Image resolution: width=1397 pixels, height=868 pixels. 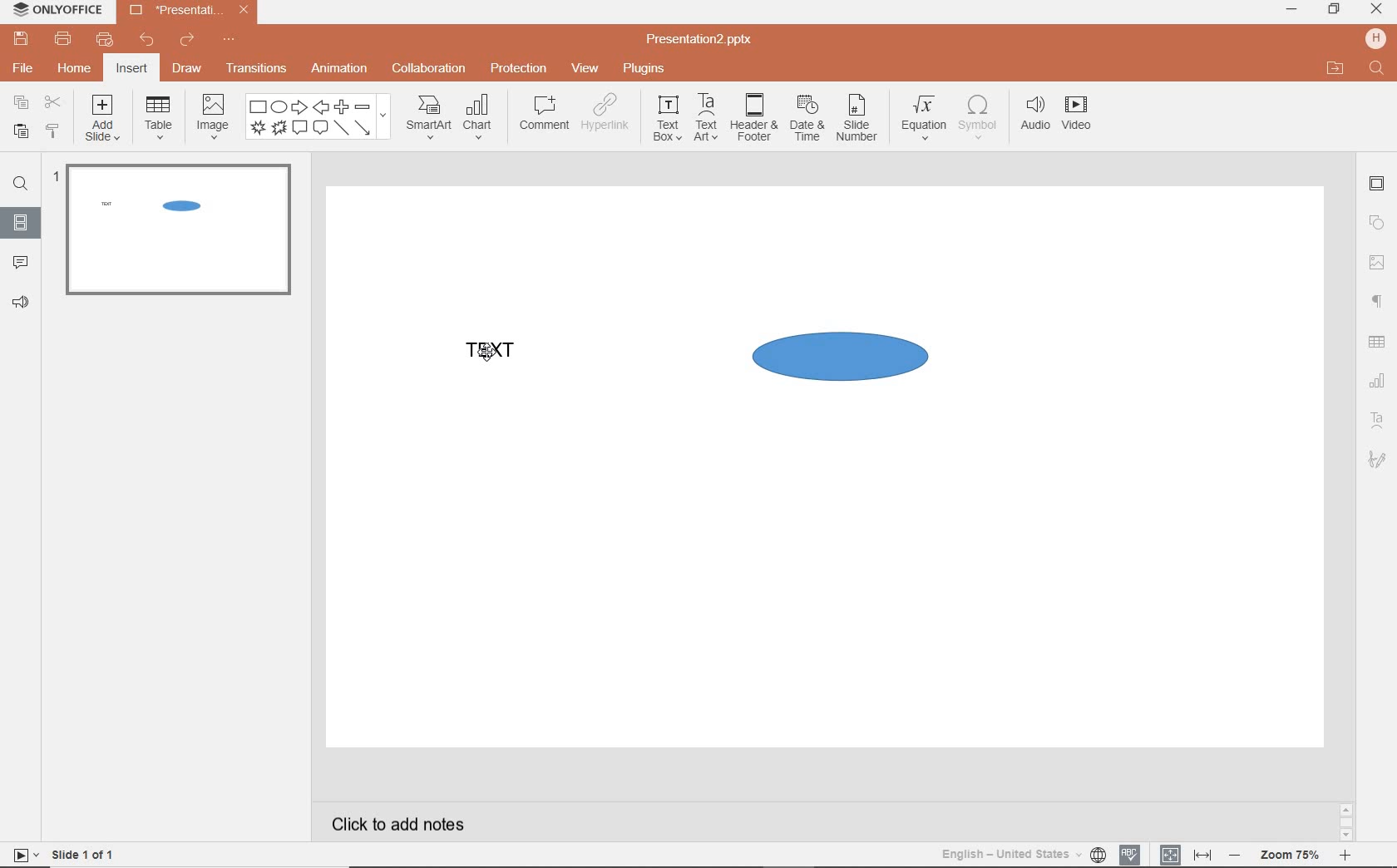 What do you see at coordinates (665, 119) in the screenshot?
I see `textbox` at bounding box center [665, 119].